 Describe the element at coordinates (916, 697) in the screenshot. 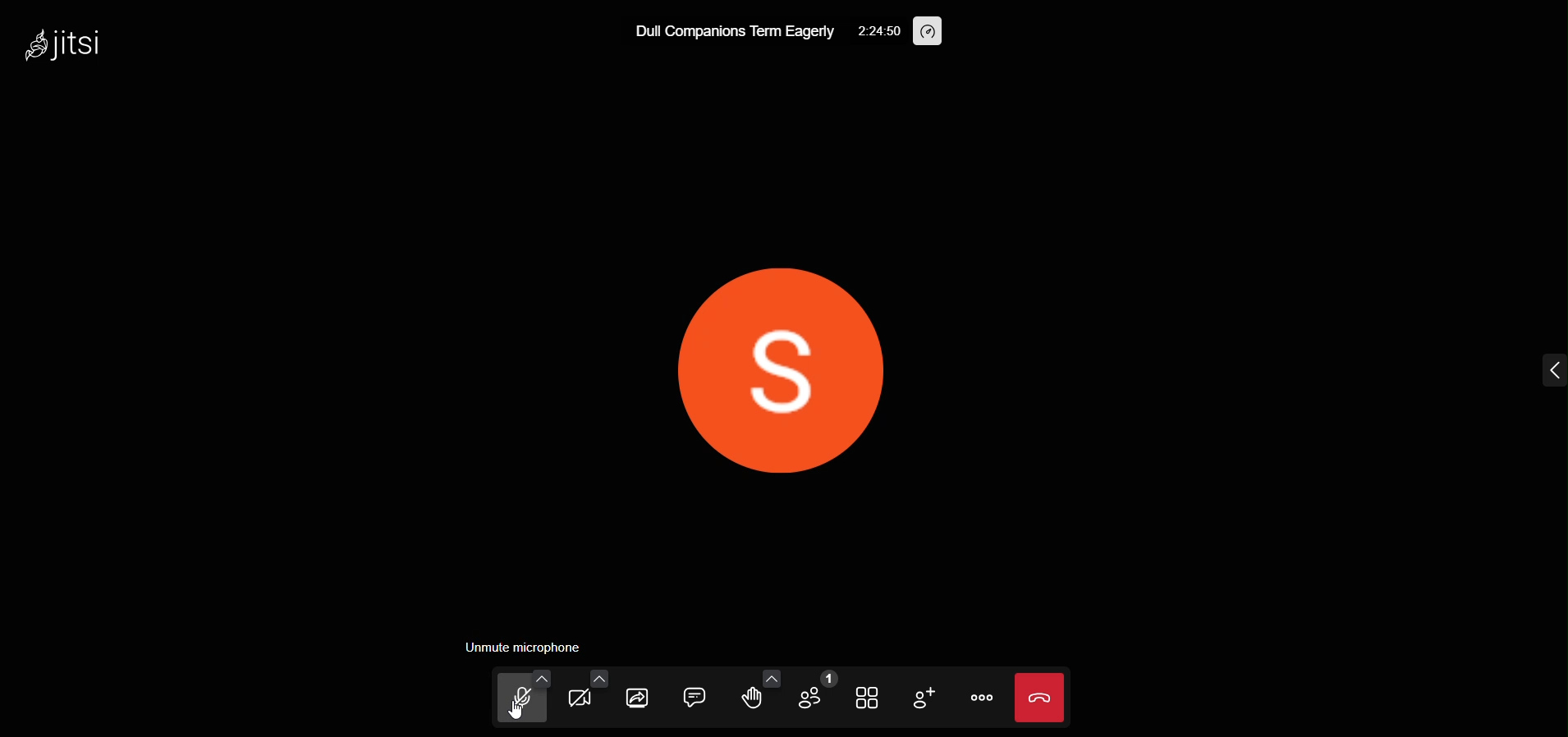

I see `invite people` at that location.